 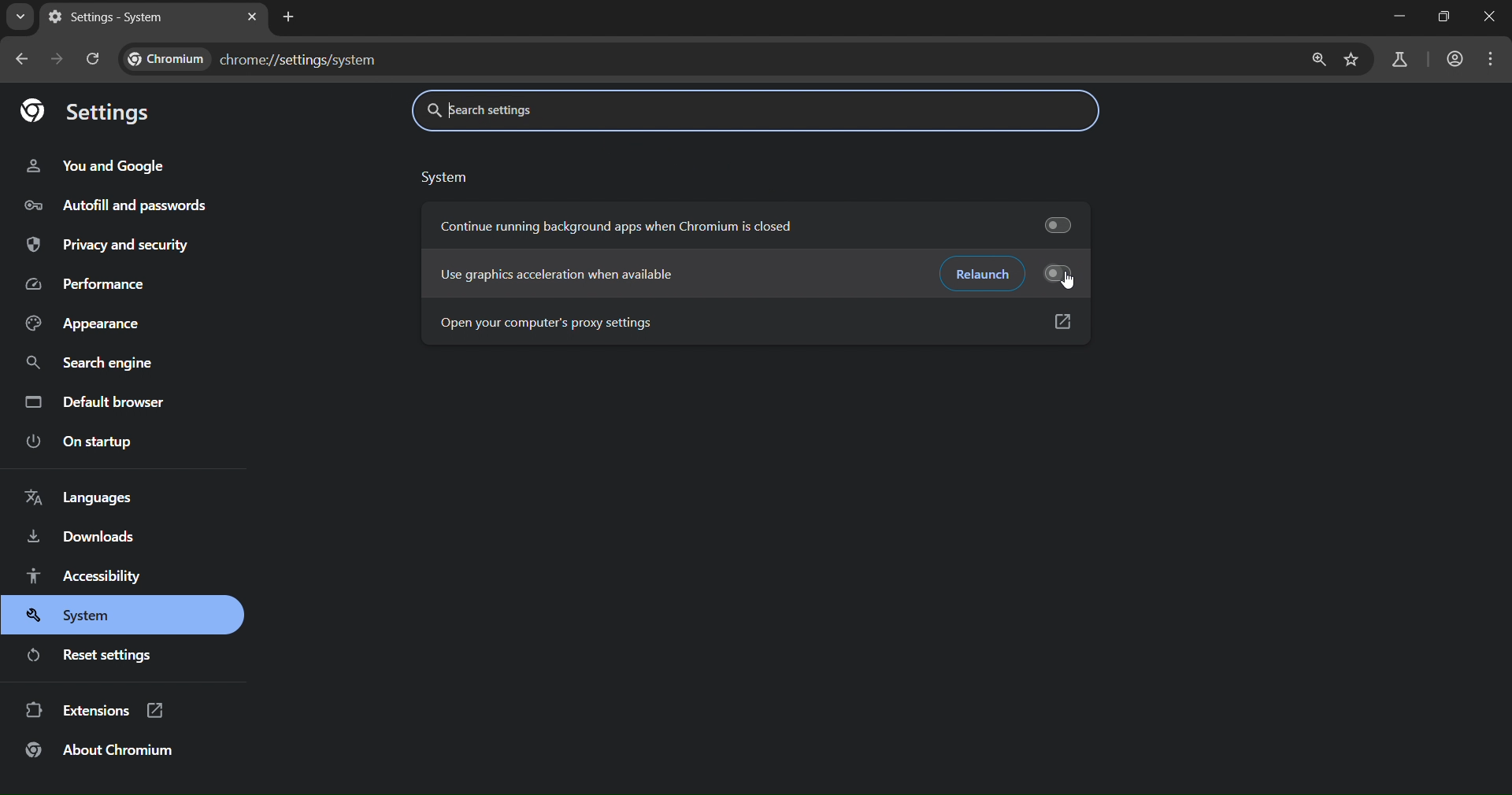 What do you see at coordinates (1492, 17) in the screenshot?
I see `Close` at bounding box center [1492, 17].